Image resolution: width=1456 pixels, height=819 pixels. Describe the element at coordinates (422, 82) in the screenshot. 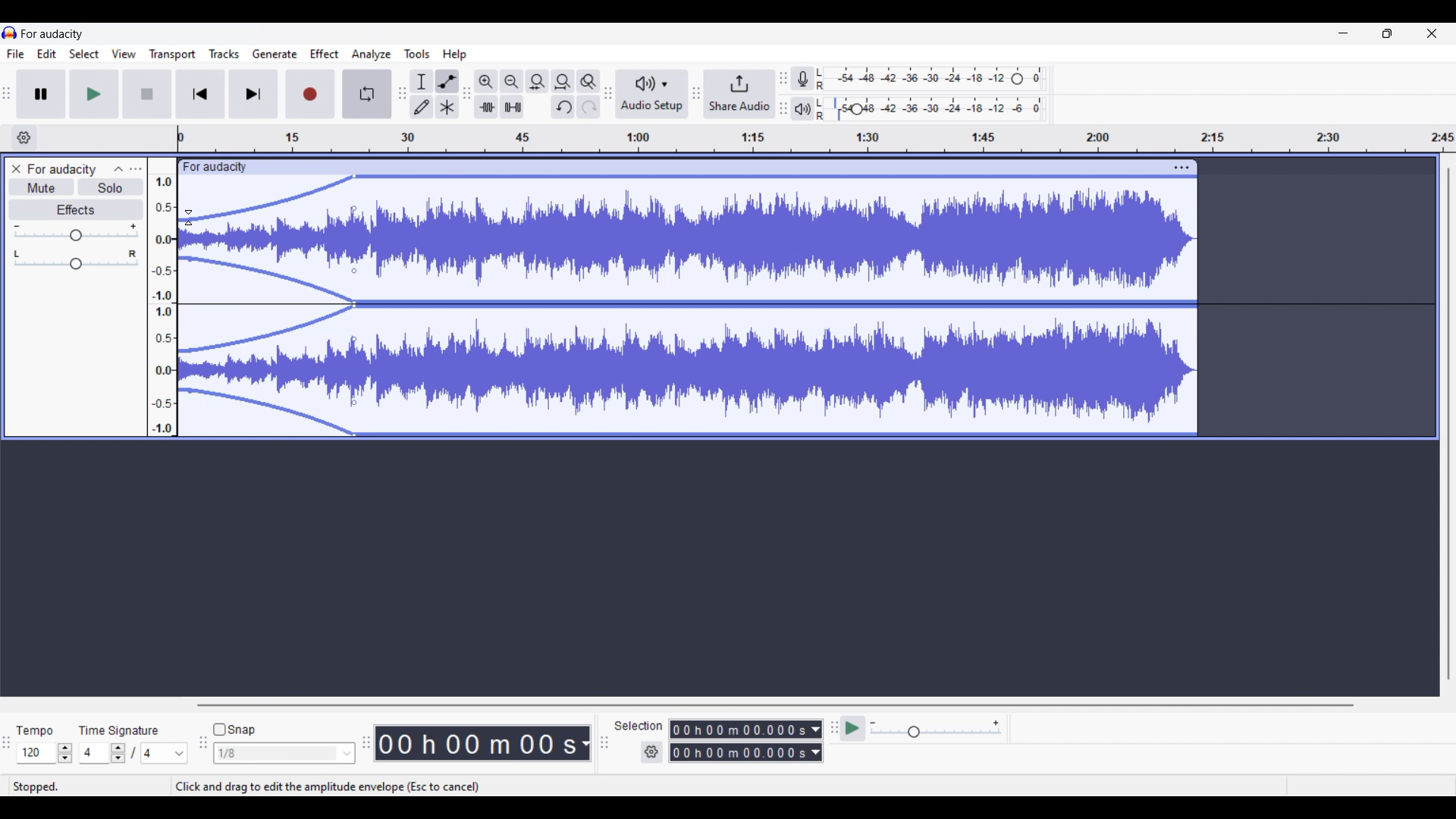

I see `Selection tool` at that location.